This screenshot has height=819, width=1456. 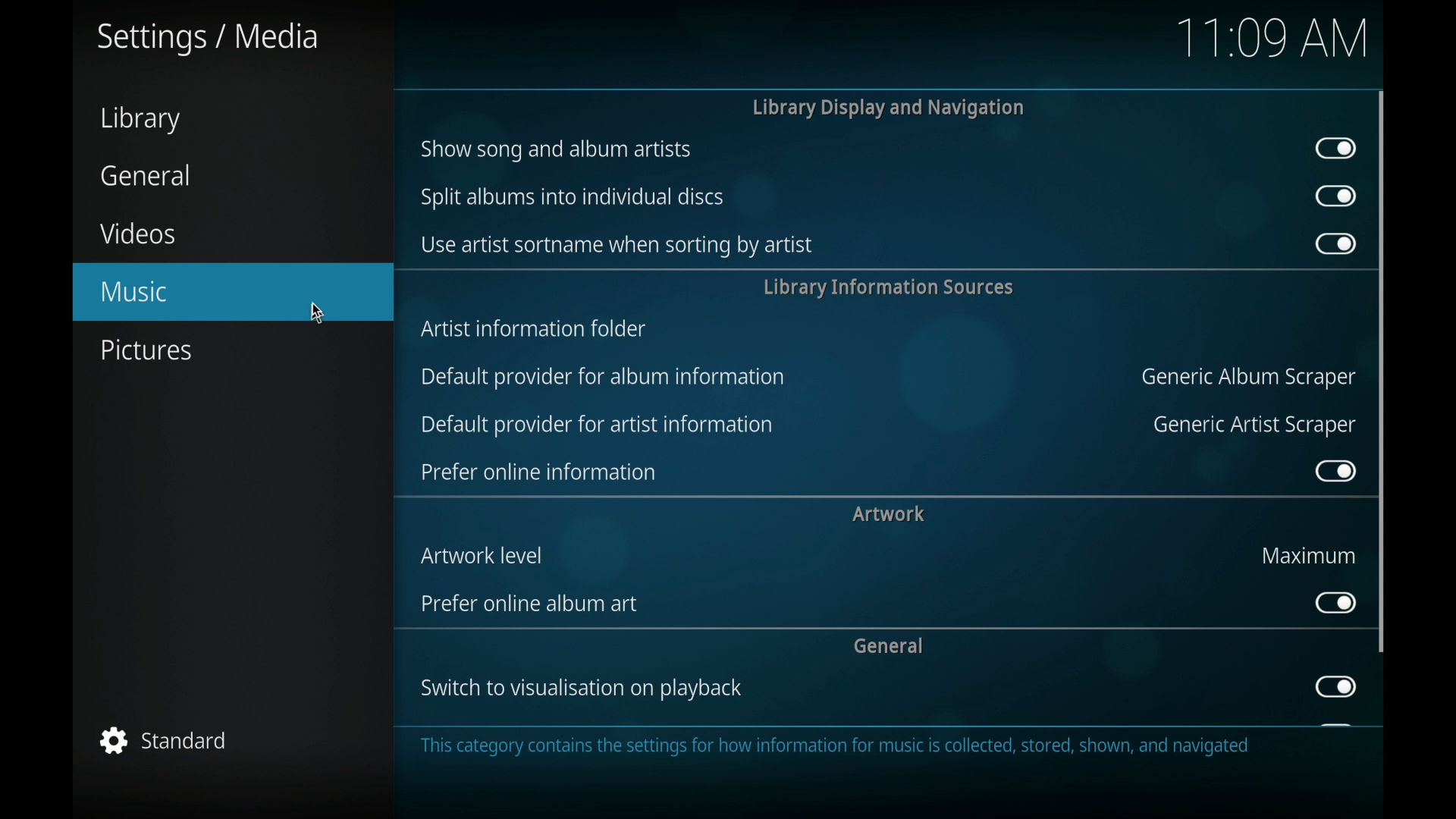 What do you see at coordinates (1254, 426) in the screenshot?
I see `generic artist scraper` at bounding box center [1254, 426].